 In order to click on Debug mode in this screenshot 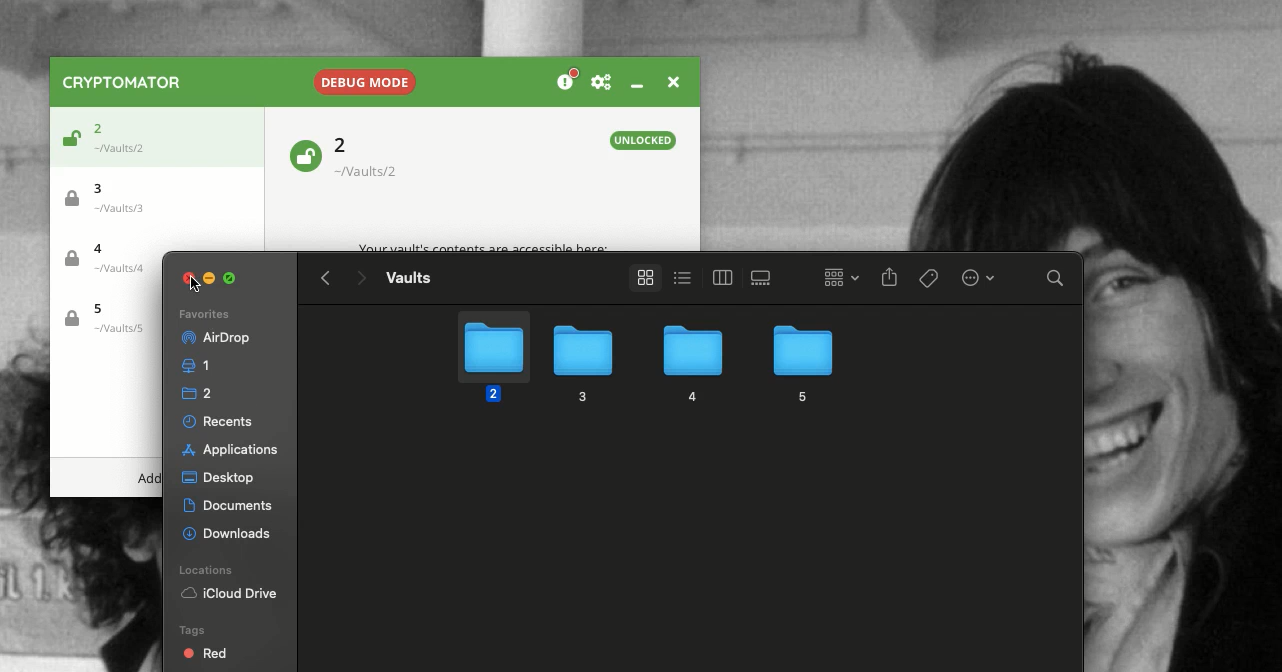, I will do `click(362, 78)`.